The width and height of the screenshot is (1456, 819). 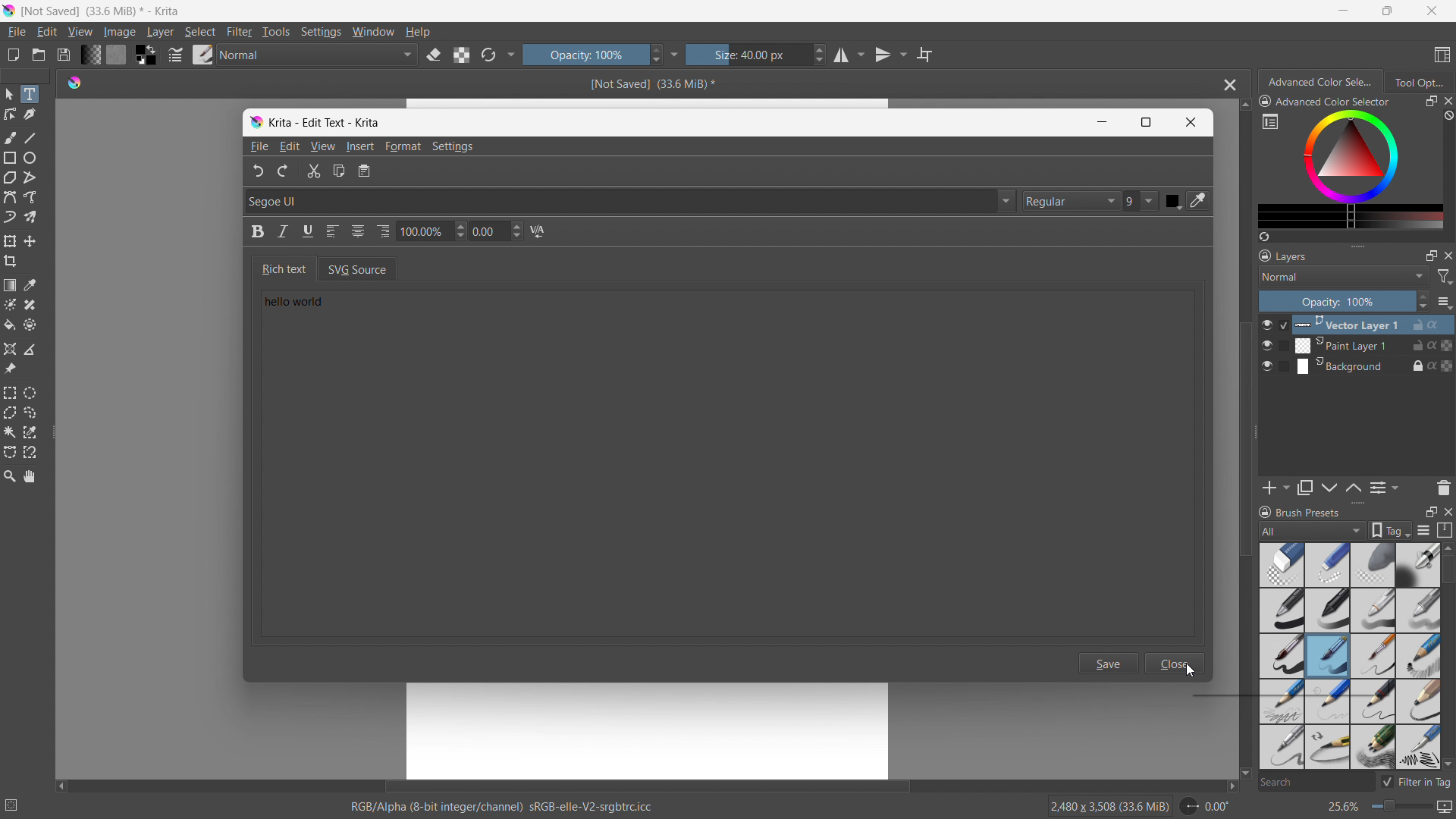 I want to click on rectangular selection tool, so click(x=10, y=393).